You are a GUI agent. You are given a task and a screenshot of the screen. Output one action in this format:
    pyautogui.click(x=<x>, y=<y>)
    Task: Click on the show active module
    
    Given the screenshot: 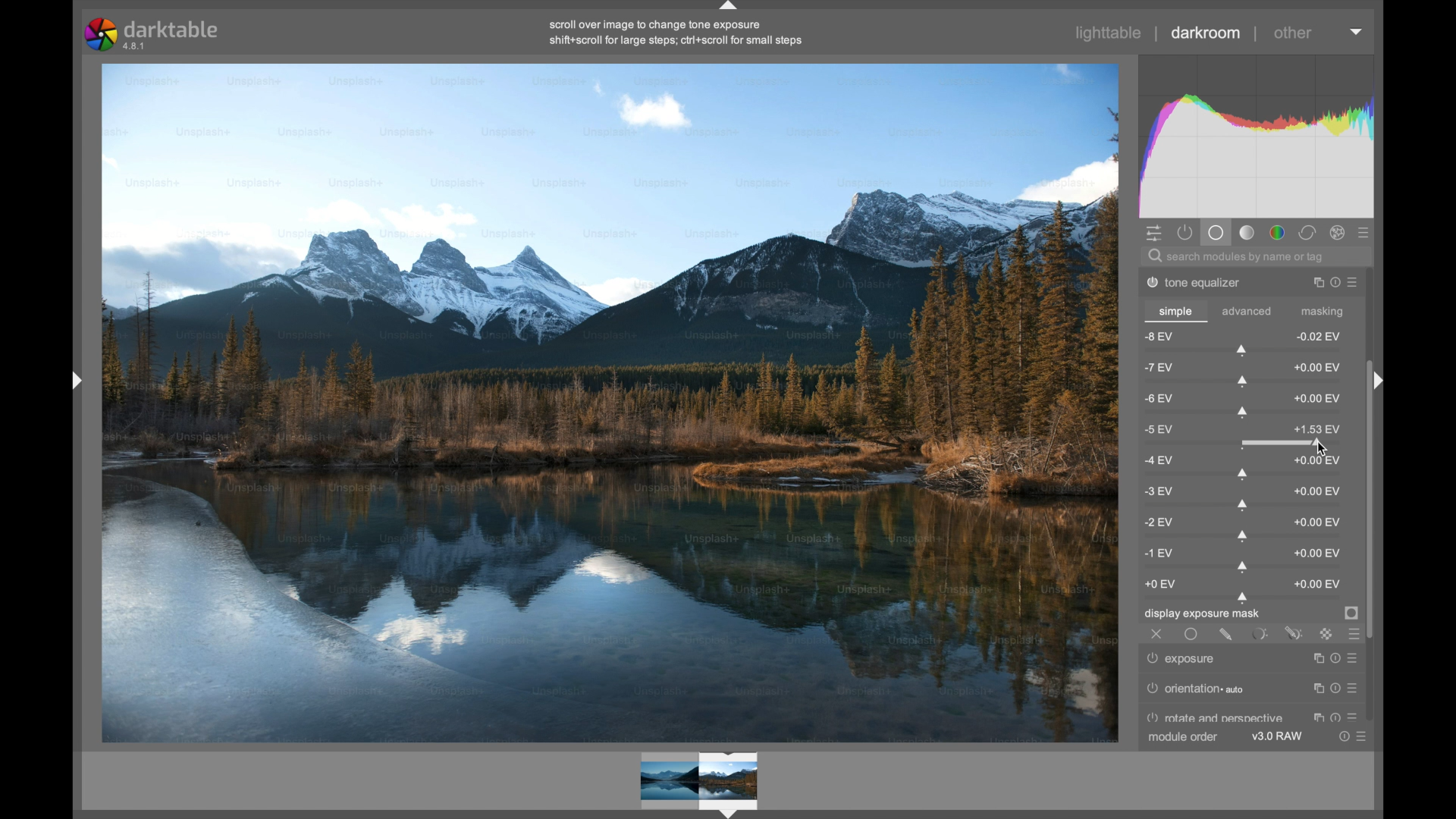 What is the action you would take?
    pyautogui.click(x=1185, y=233)
    